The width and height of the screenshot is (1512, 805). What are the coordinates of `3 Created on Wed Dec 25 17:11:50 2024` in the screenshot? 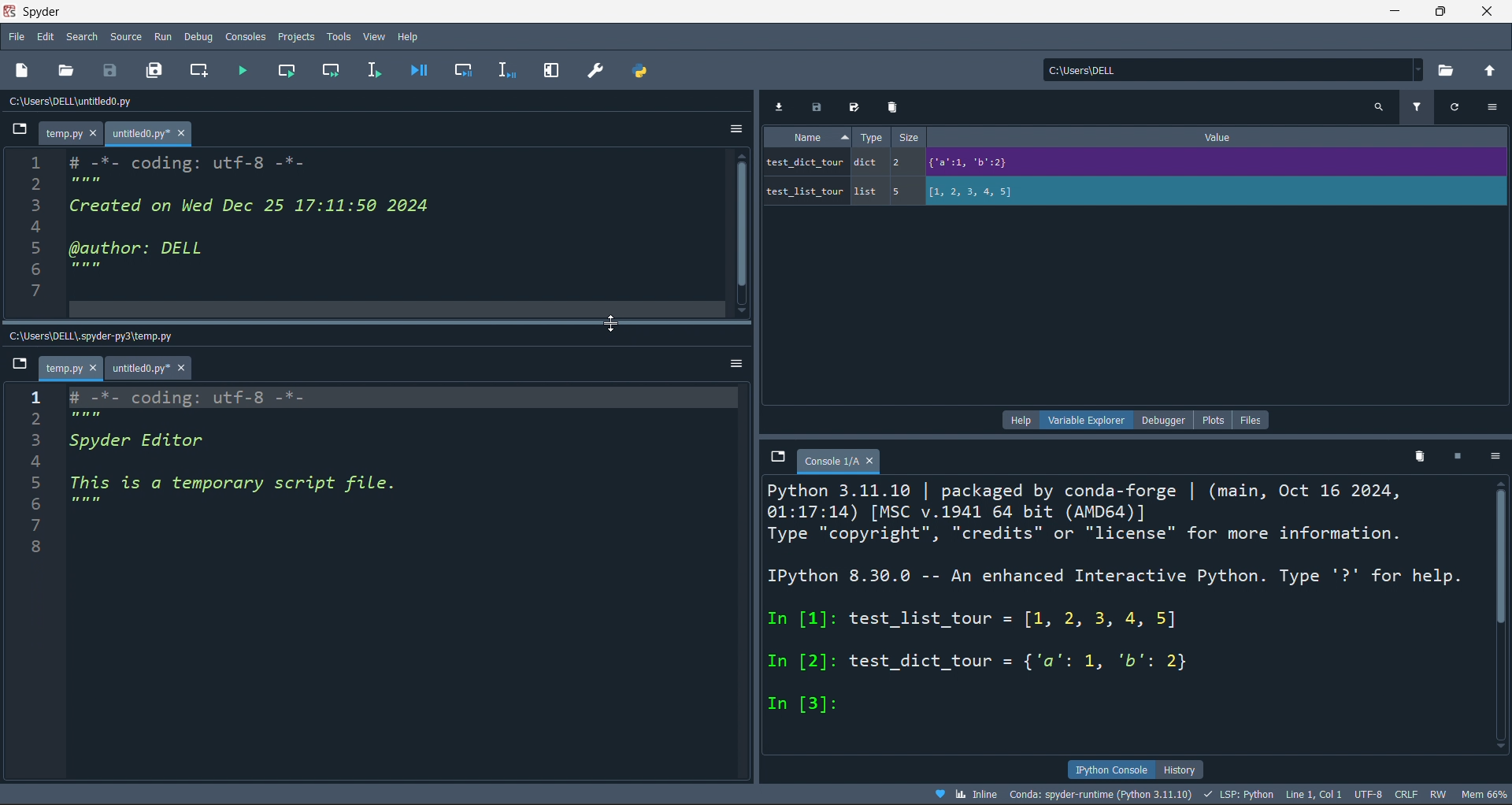 It's located at (240, 206).